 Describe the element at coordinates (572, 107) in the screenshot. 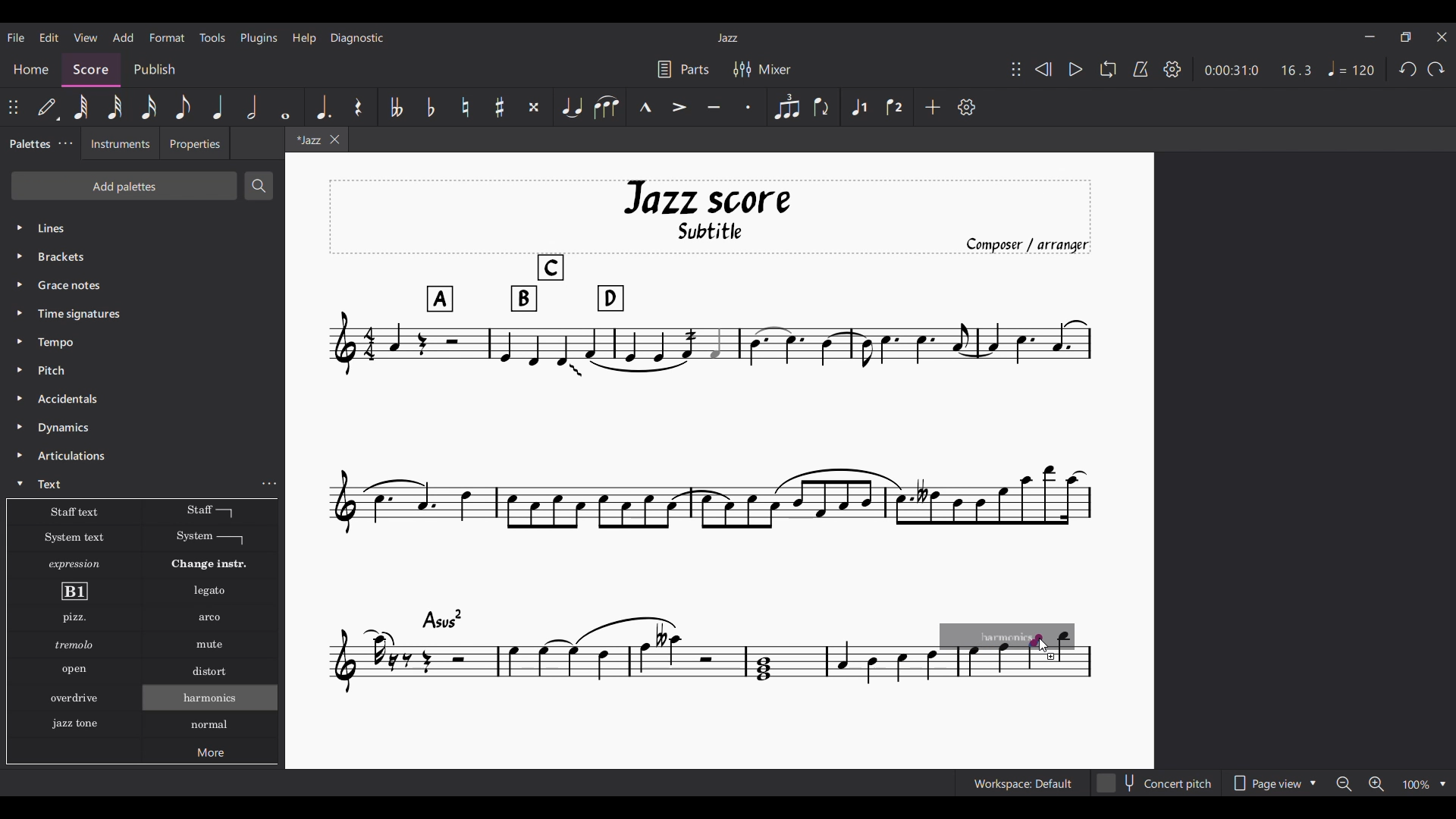

I see `Tie` at that location.